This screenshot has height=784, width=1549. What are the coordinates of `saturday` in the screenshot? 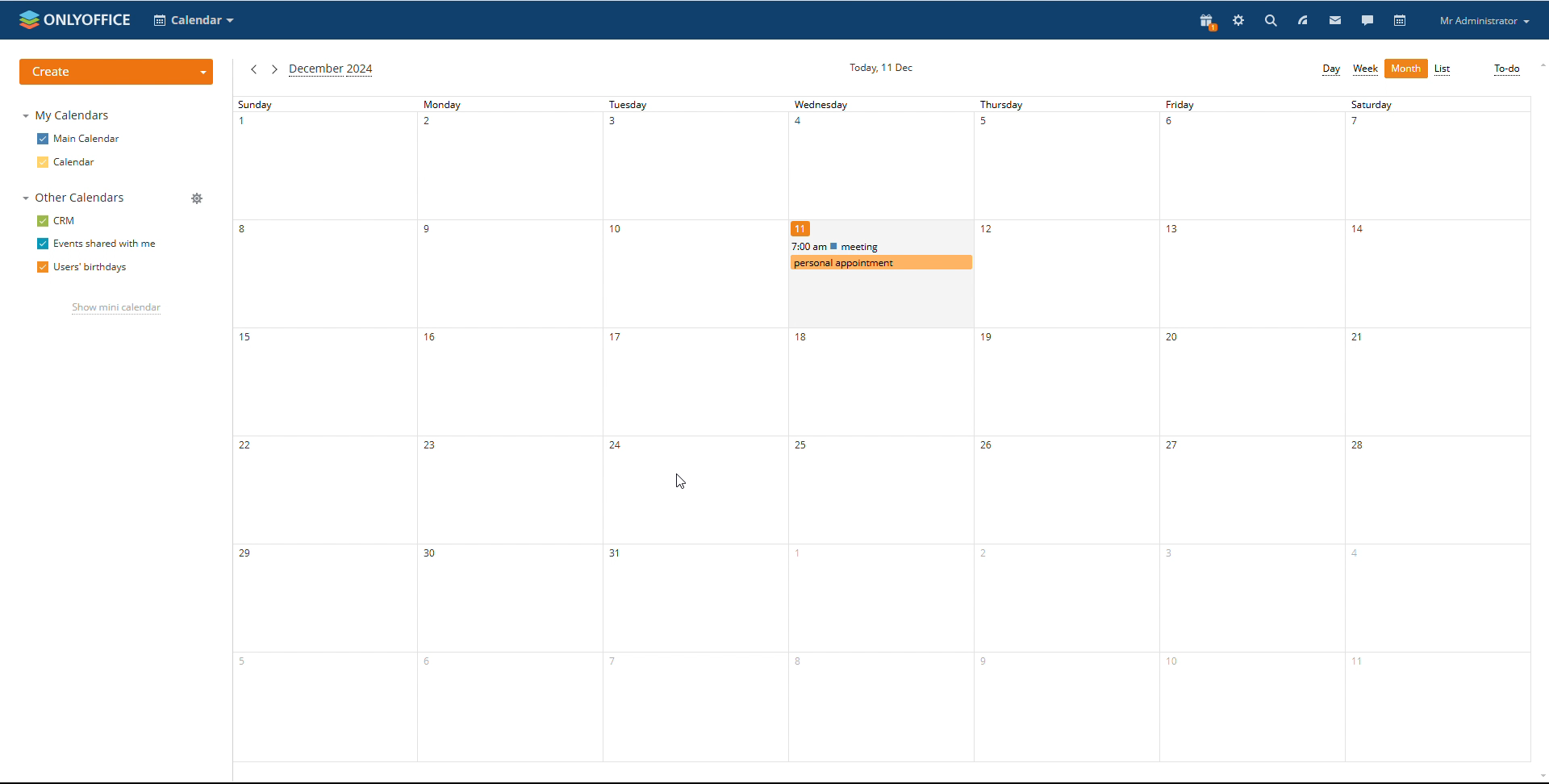 It's located at (1438, 428).